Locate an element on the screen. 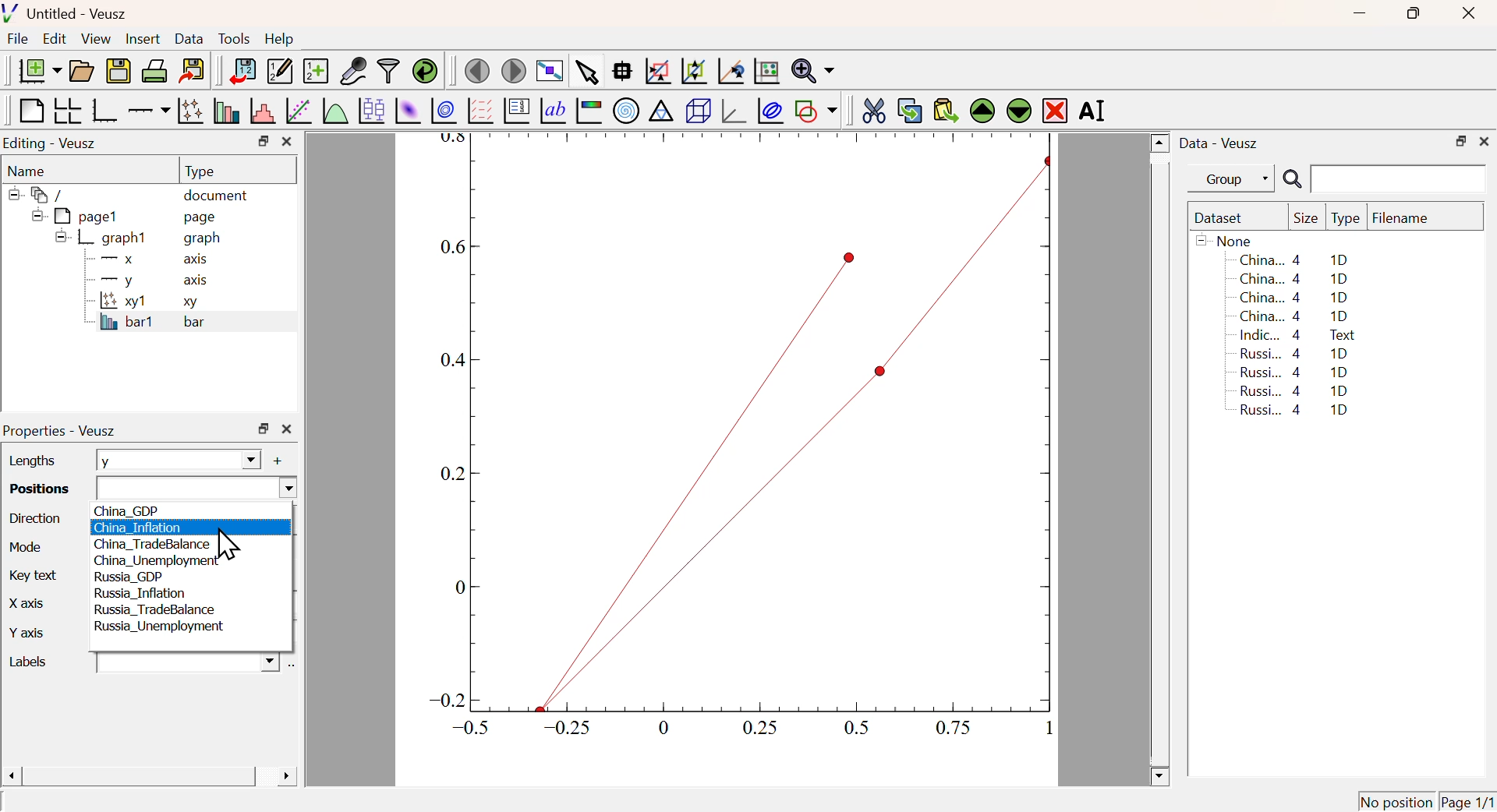 Image resolution: width=1497 pixels, height=812 pixels. Editing - Veusz is located at coordinates (52, 144).